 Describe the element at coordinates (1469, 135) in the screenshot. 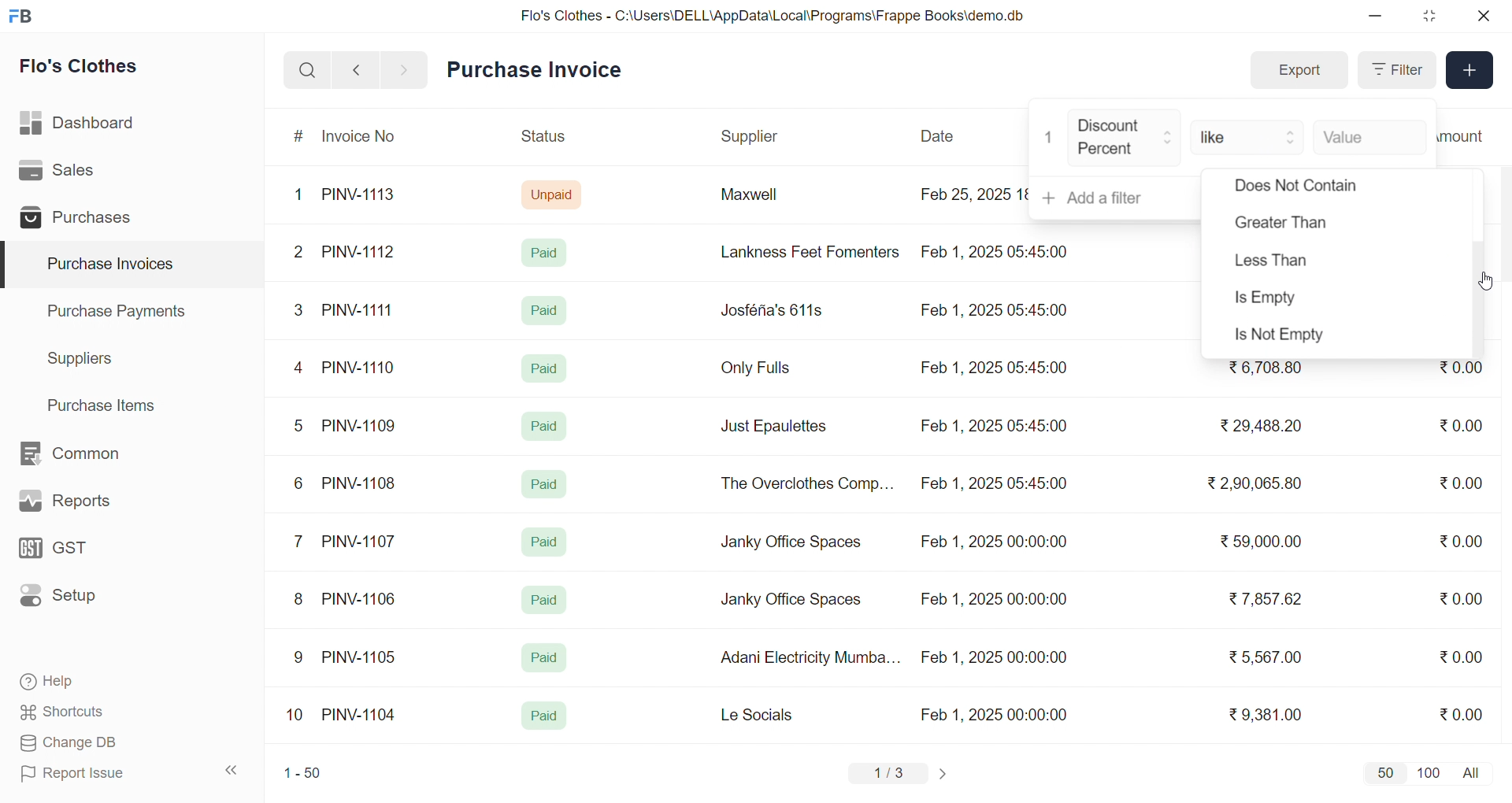

I see `Outstanding Amount` at that location.